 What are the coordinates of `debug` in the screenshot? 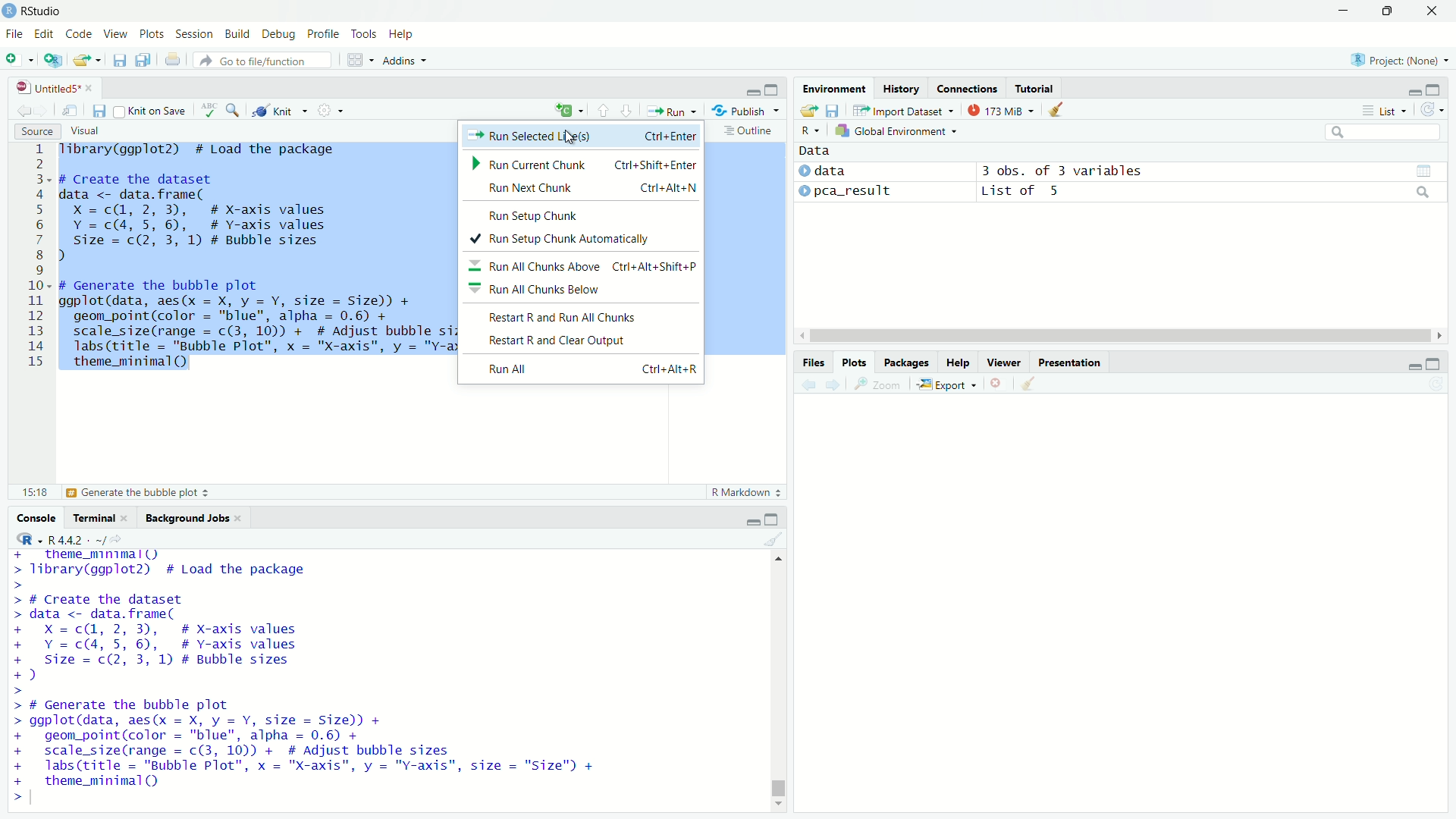 It's located at (280, 35).